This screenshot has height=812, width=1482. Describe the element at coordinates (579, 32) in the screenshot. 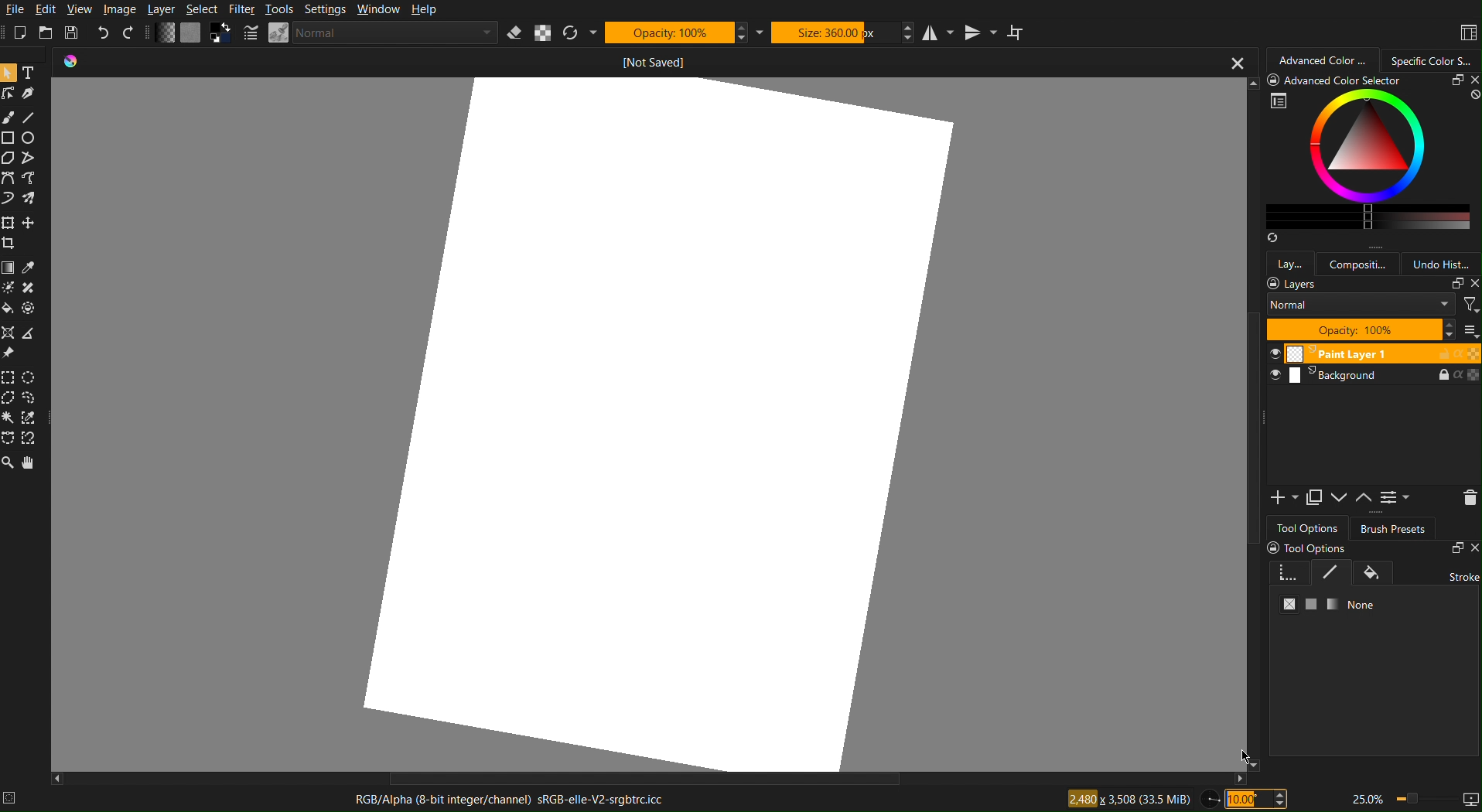

I see `Refresh` at that location.